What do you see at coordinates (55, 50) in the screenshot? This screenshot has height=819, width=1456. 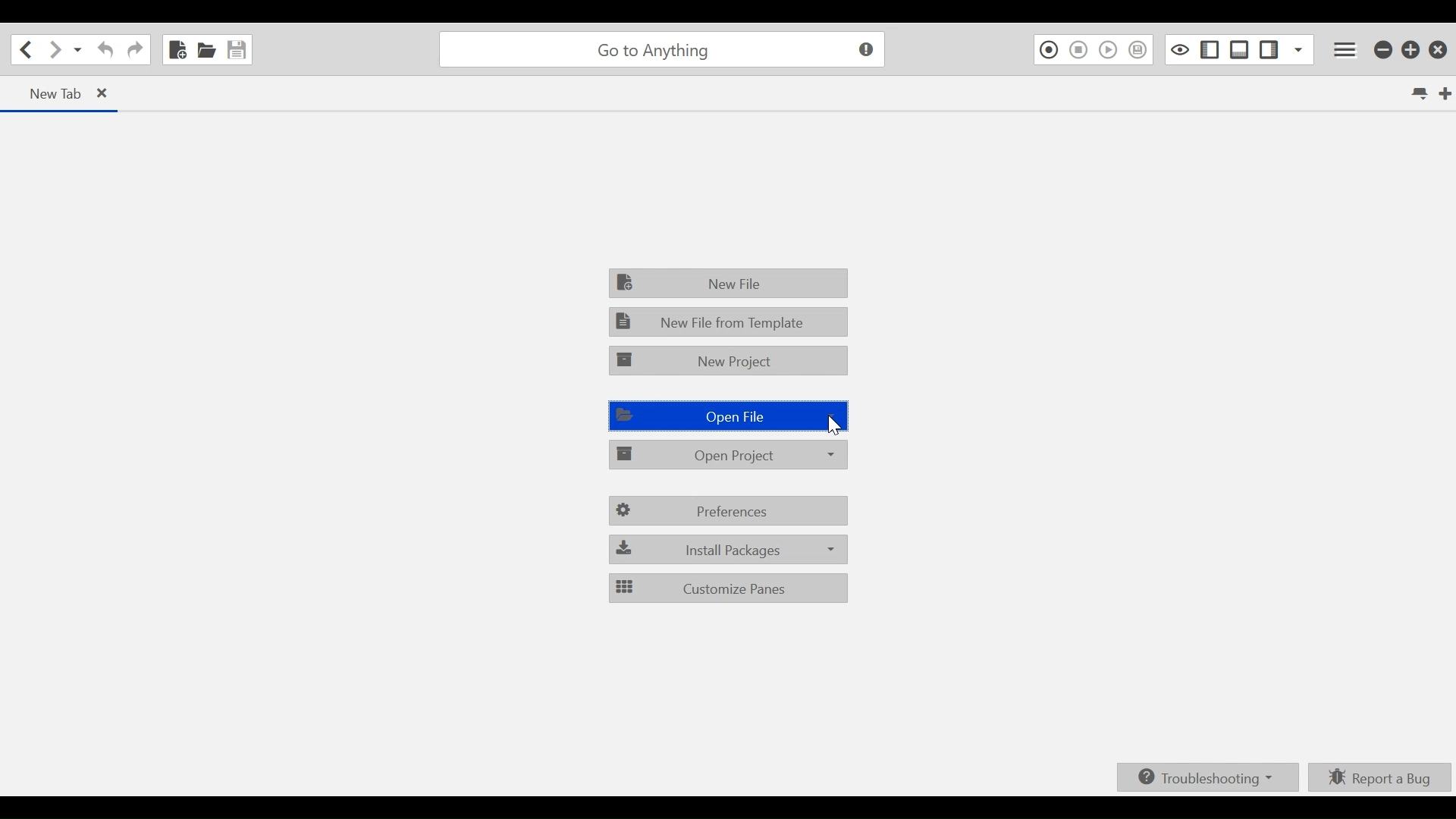 I see `Click to go forward one location` at bounding box center [55, 50].